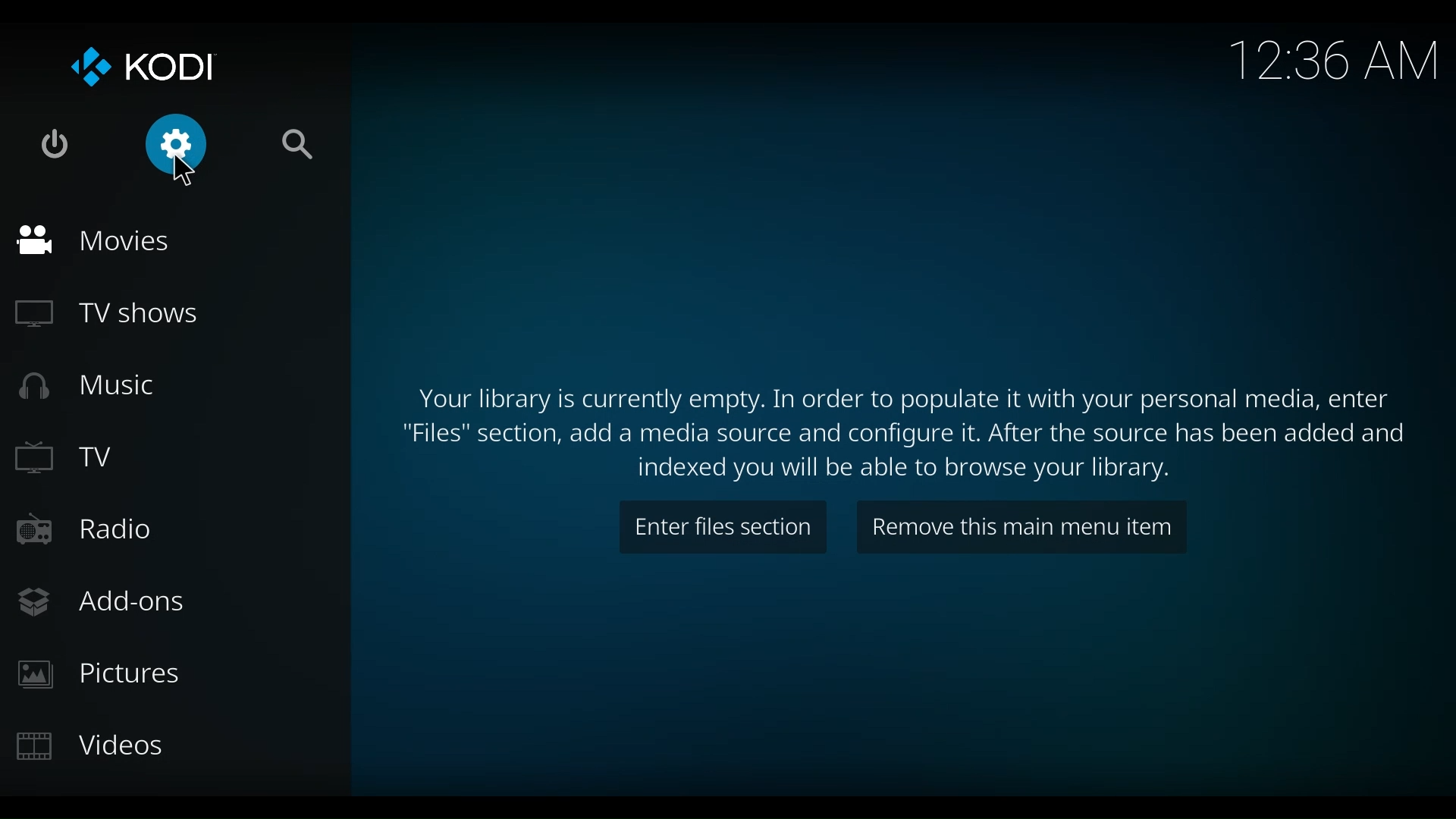  Describe the element at coordinates (83, 530) in the screenshot. I see `Radio` at that location.